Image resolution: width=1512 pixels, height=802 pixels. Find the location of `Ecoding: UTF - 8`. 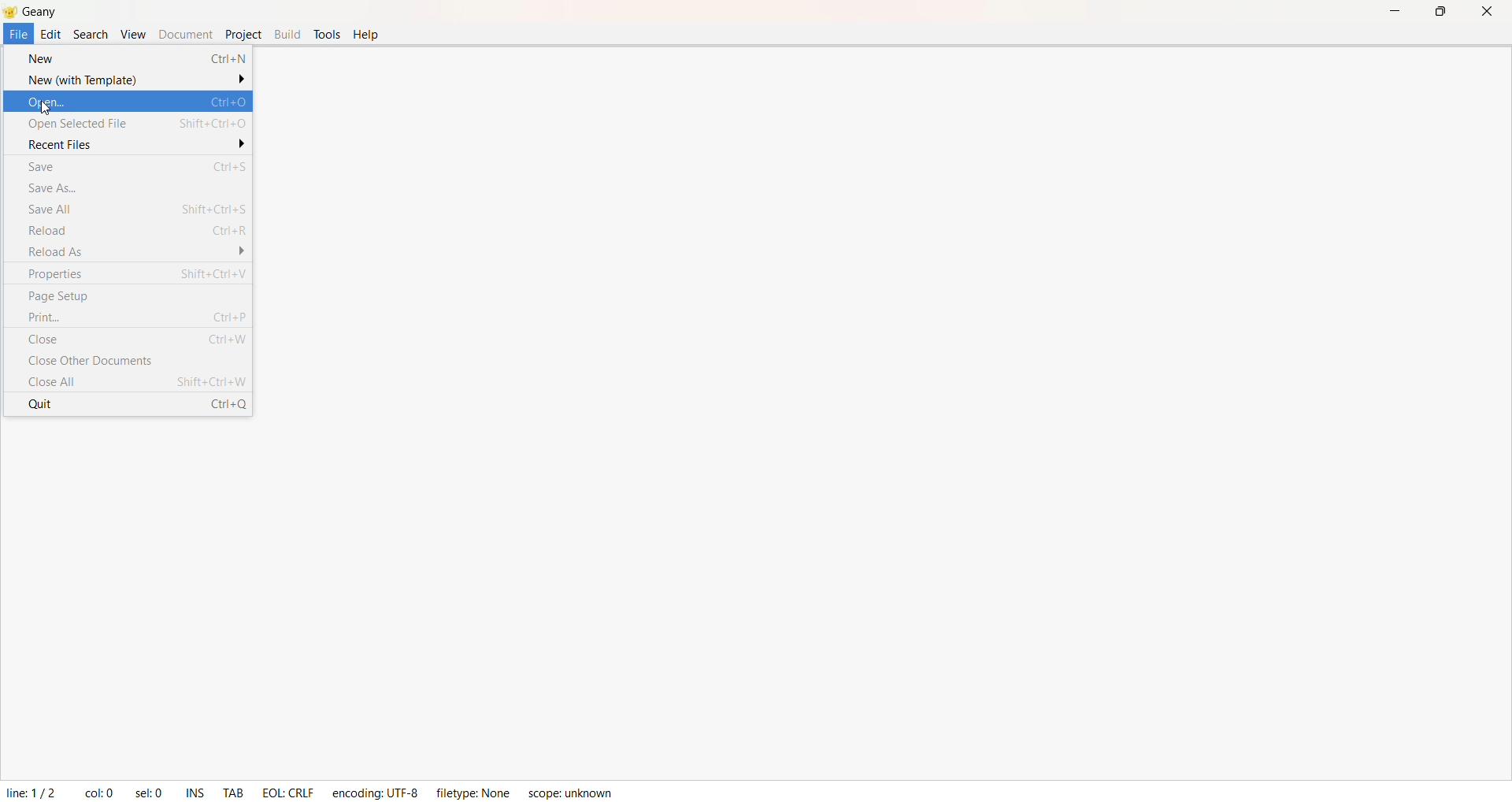

Ecoding: UTF - 8 is located at coordinates (375, 790).